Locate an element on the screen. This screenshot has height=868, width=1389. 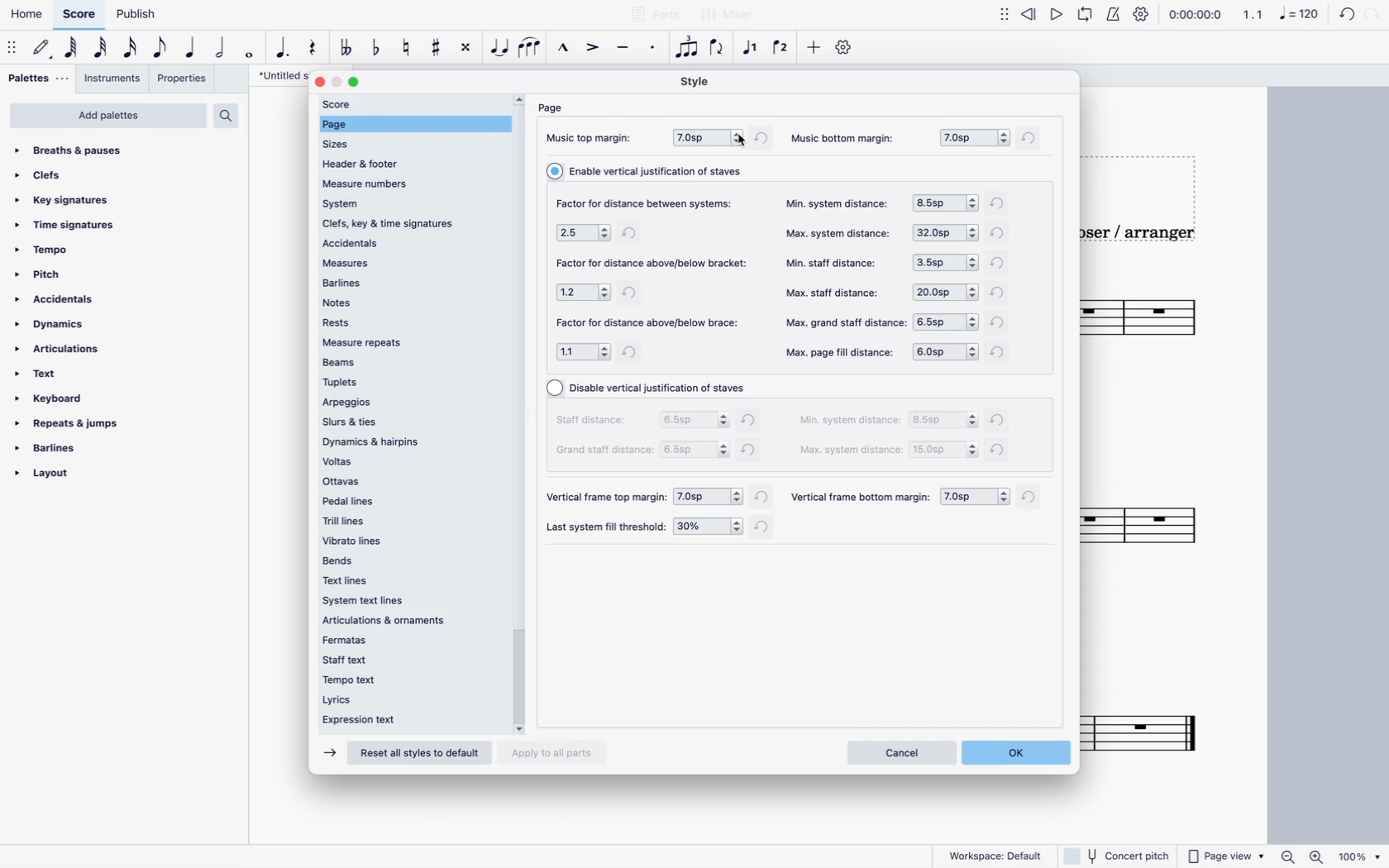
play is located at coordinates (1057, 17).